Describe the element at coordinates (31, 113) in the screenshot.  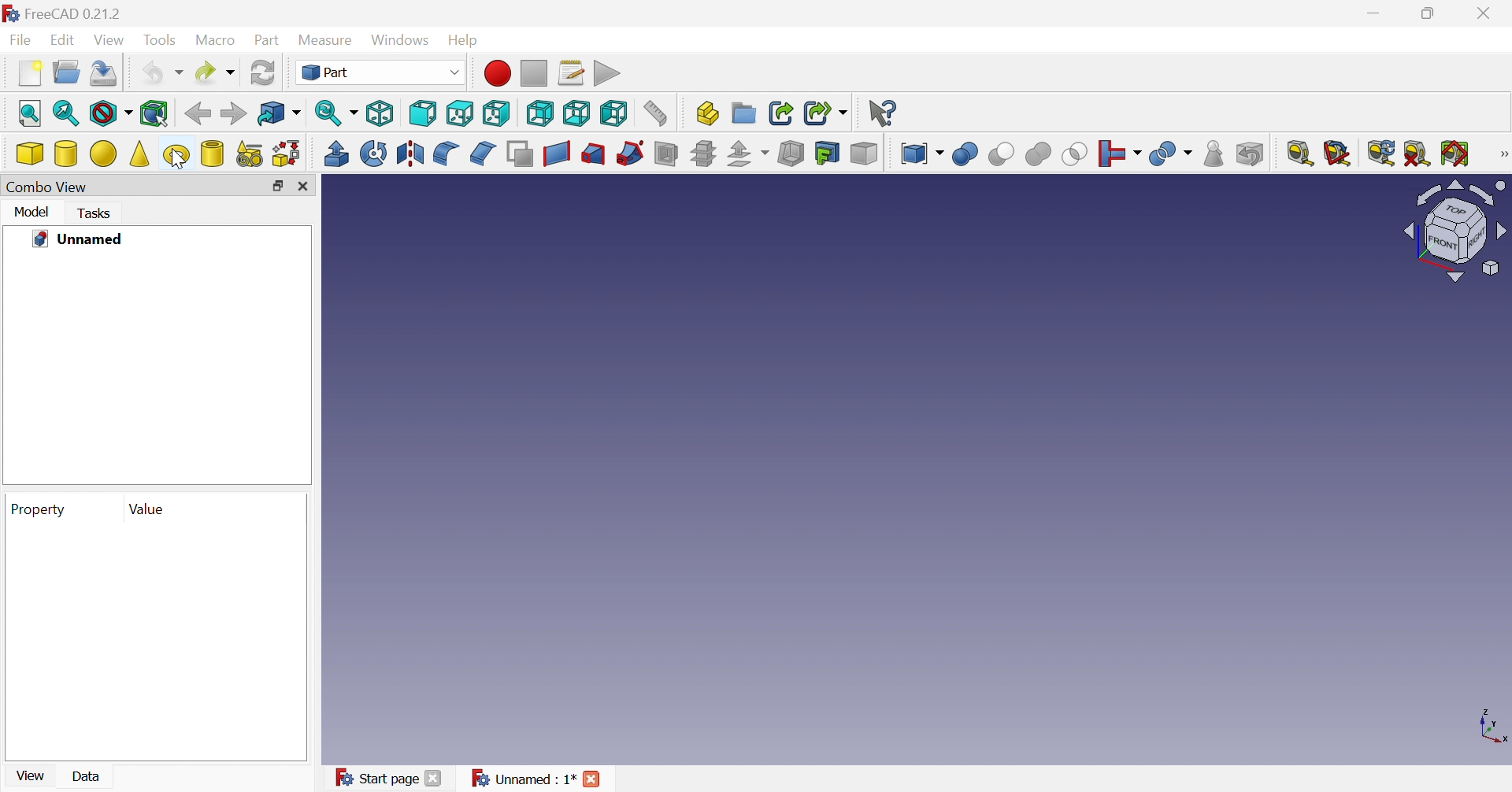
I see `Fit all` at that location.